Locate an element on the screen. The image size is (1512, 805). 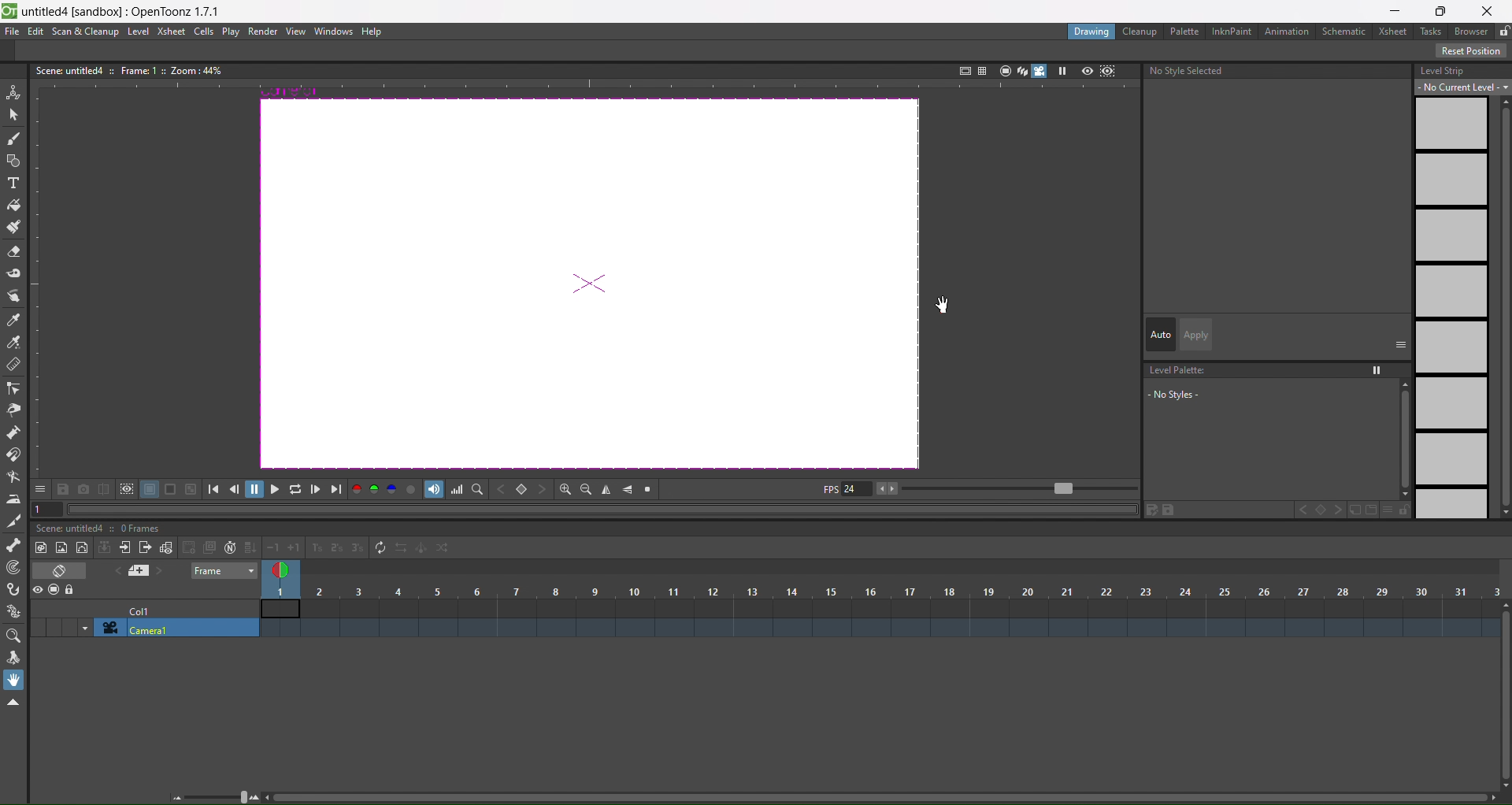
xsheet is located at coordinates (170, 31).